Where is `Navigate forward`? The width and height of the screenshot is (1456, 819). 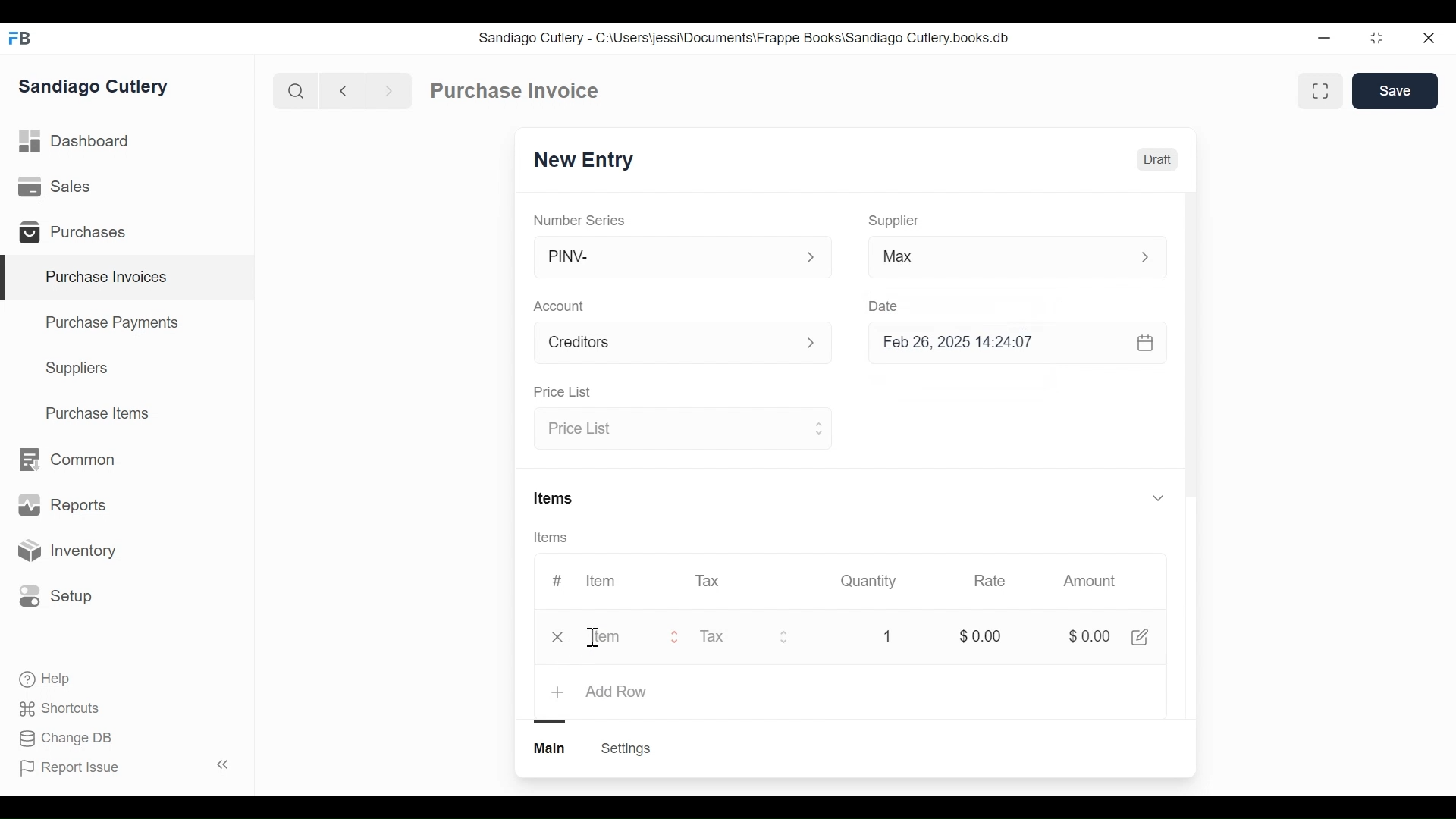
Navigate forward is located at coordinates (388, 89).